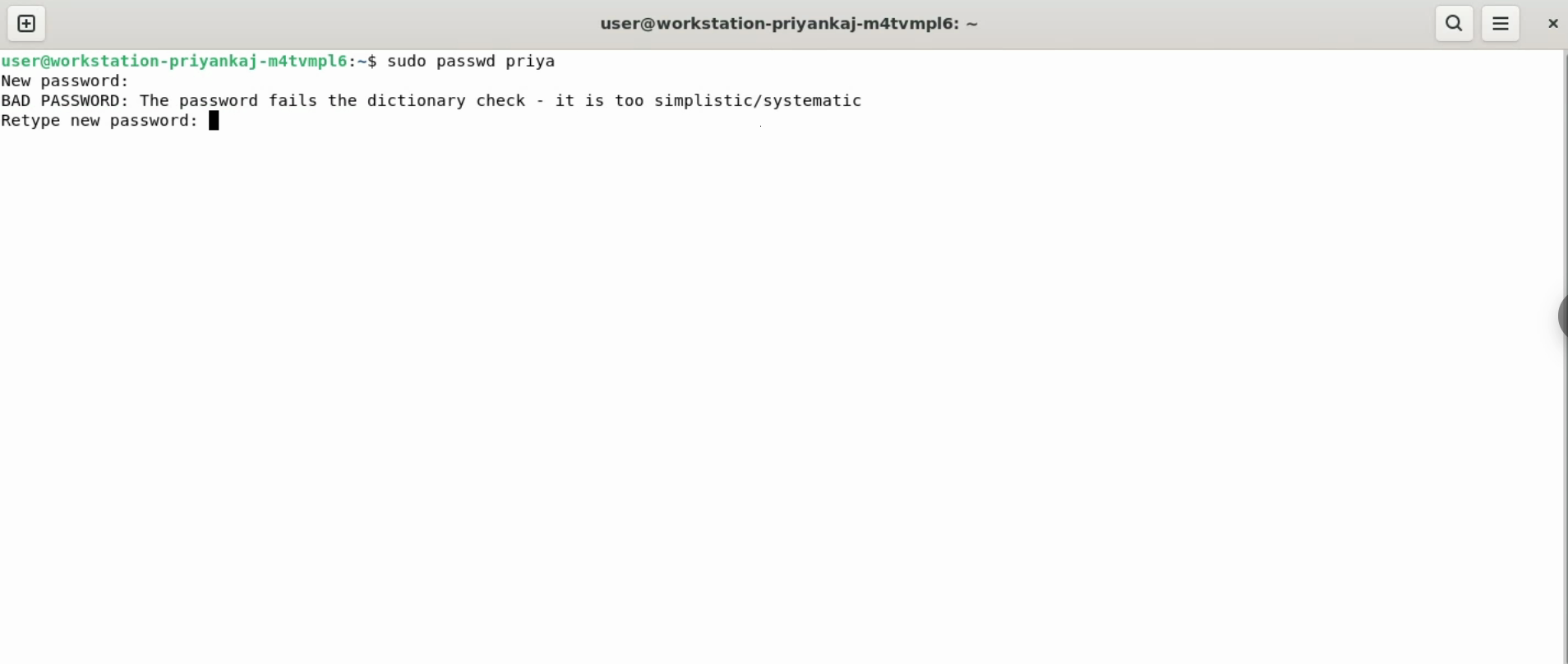  I want to click on menu, so click(1502, 23).